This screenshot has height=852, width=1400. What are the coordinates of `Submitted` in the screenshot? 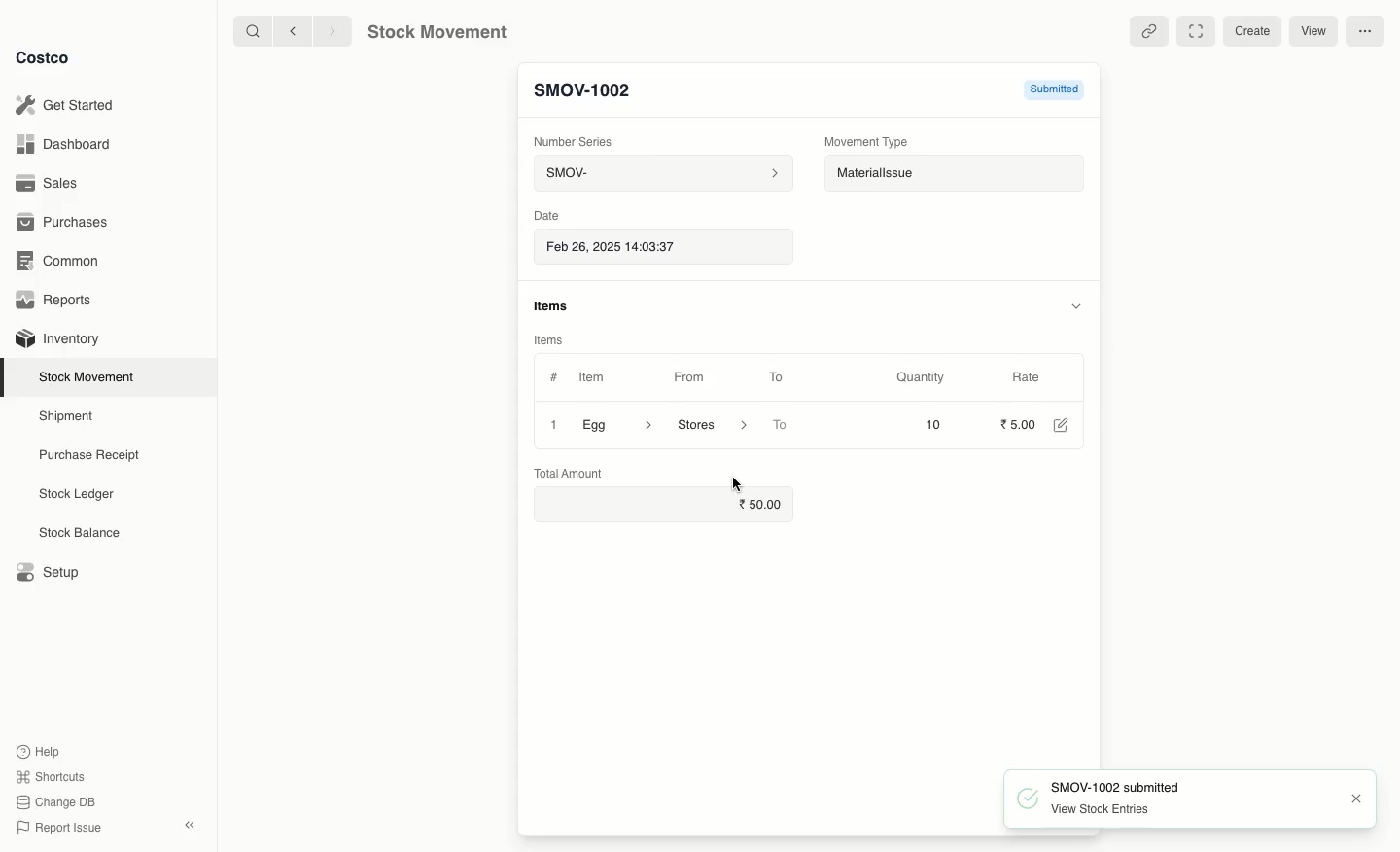 It's located at (1042, 91).